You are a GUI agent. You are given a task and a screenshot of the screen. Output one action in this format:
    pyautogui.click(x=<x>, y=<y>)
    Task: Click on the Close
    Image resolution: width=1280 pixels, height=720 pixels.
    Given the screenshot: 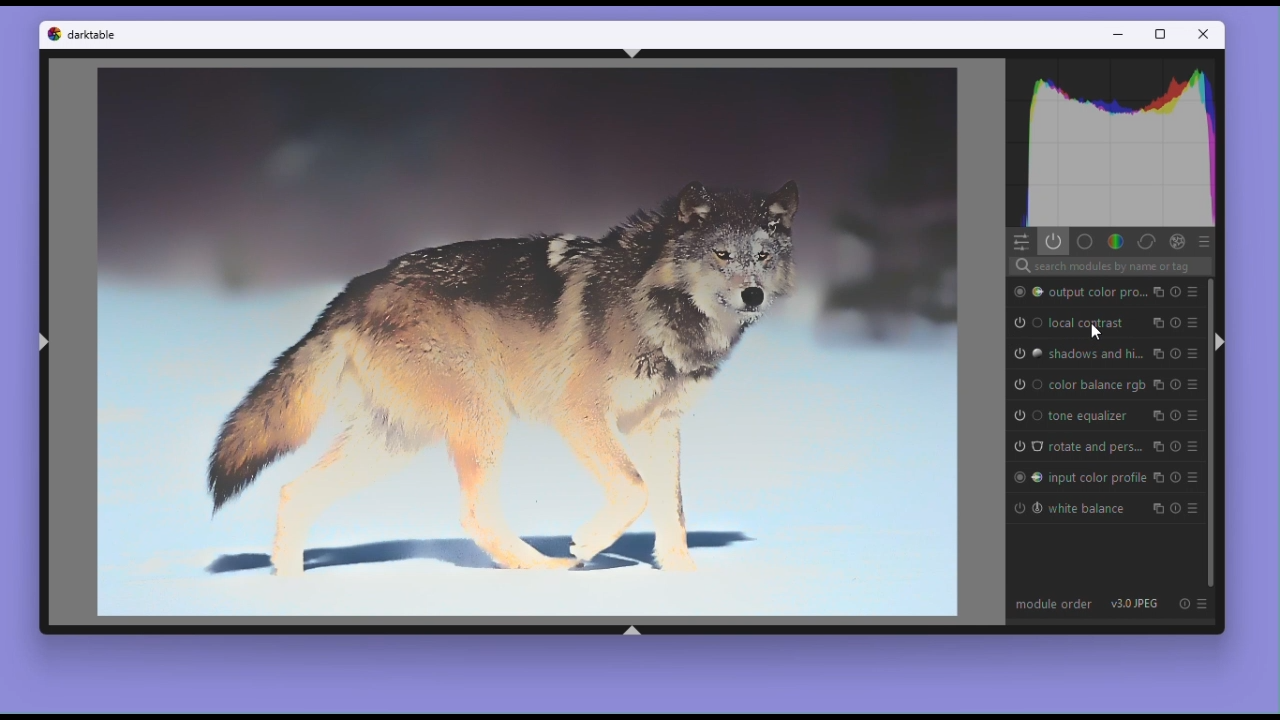 What is the action you would take?
    pyautogui.click(x=1205, y=34)
    